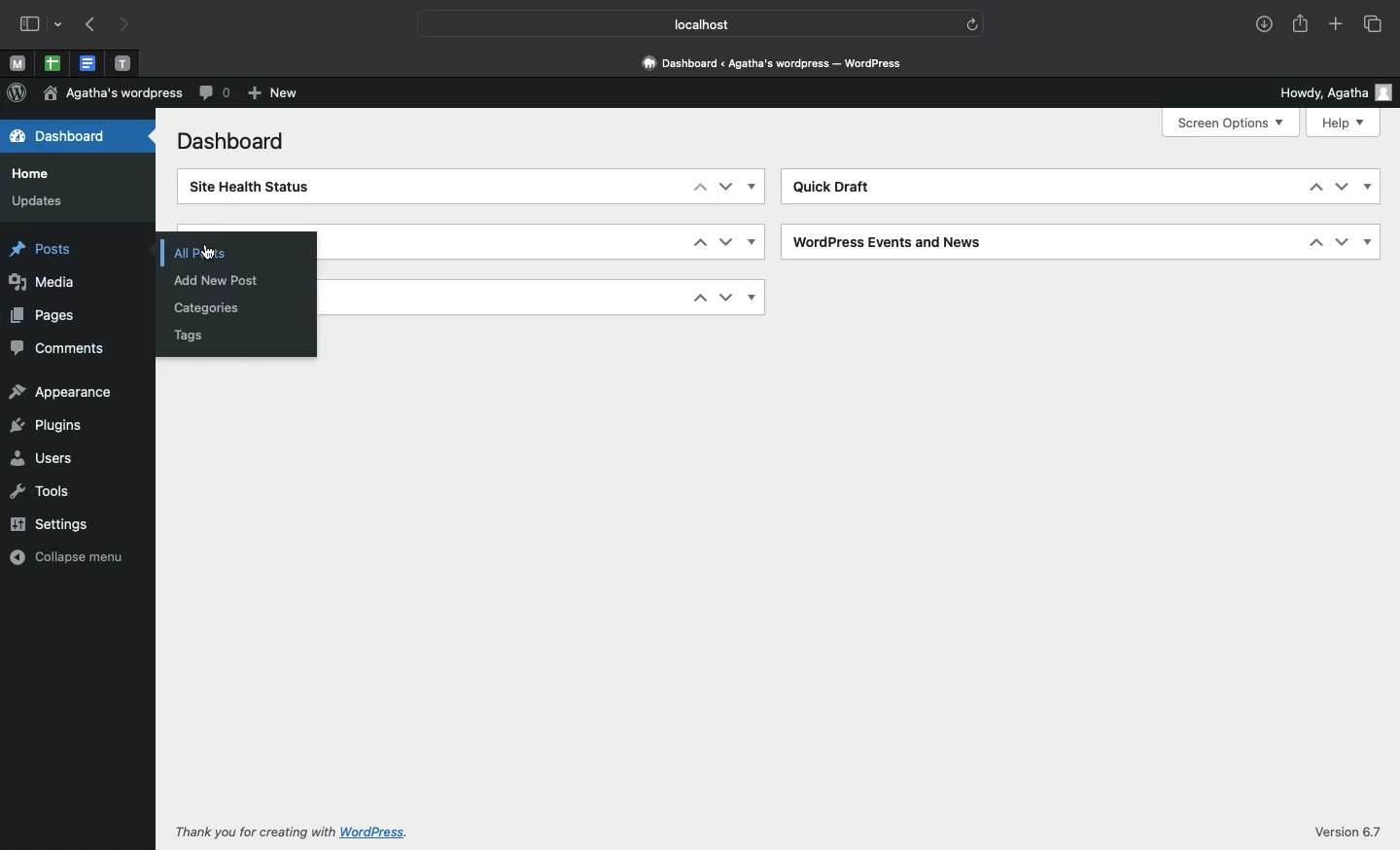 This screenshot has width=1400, height=850. What do you see at coordinates (1317, 242) in the screenshot?
I see `Up` at bounding box center [1317, 242].